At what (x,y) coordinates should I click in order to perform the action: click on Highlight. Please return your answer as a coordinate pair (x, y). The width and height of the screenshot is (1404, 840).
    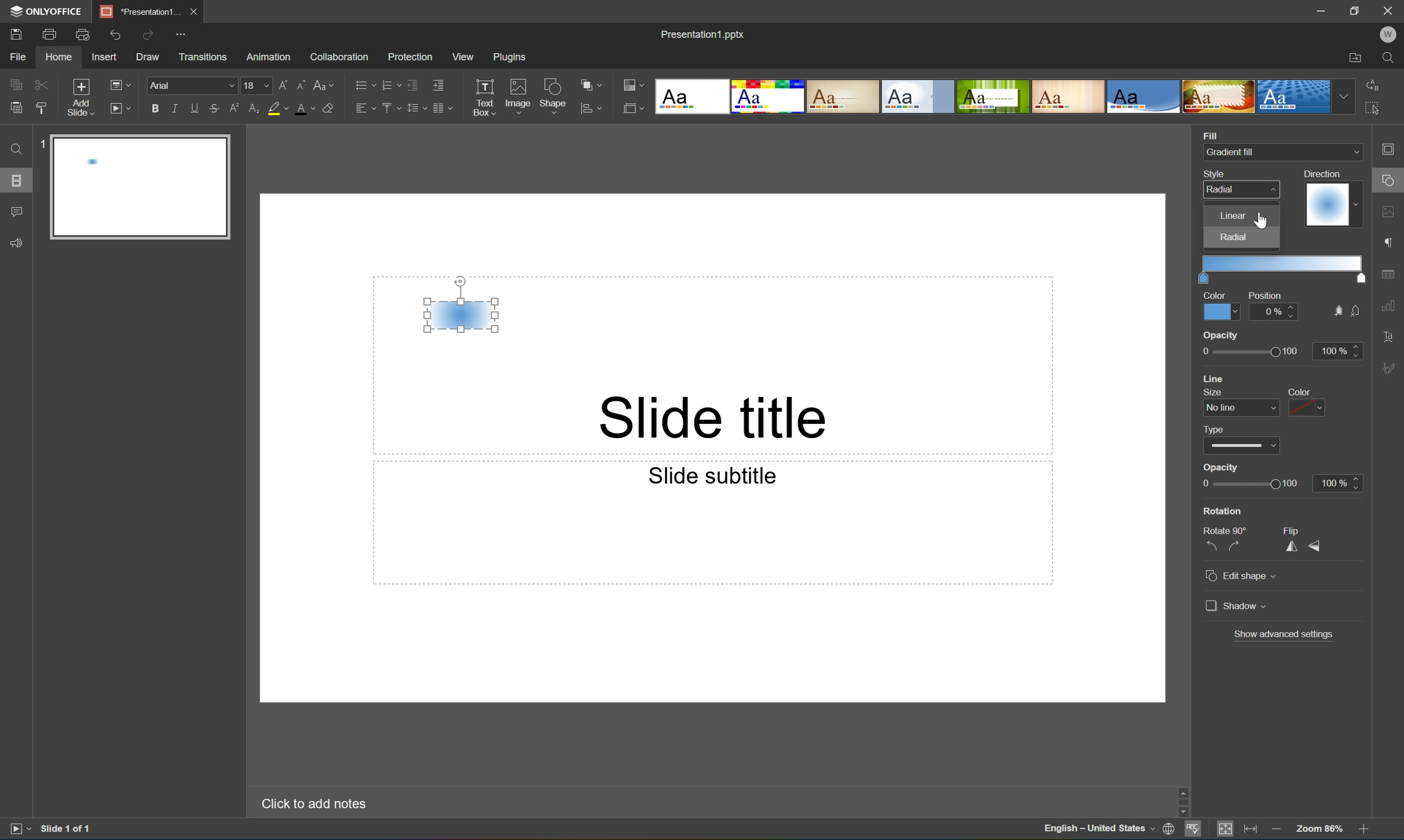
    Looking at the image, I should click on (279, 109).